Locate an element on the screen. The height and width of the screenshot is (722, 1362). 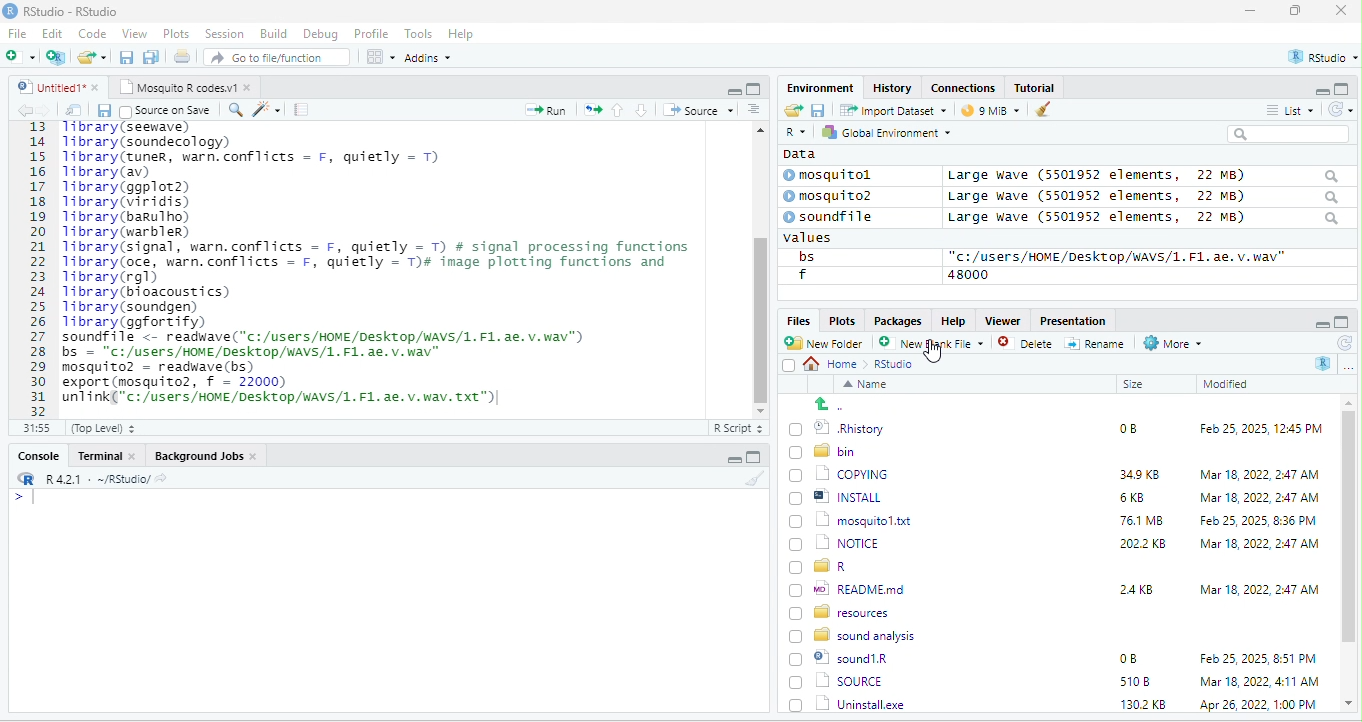
 Home is located at coordinates (836, 363).